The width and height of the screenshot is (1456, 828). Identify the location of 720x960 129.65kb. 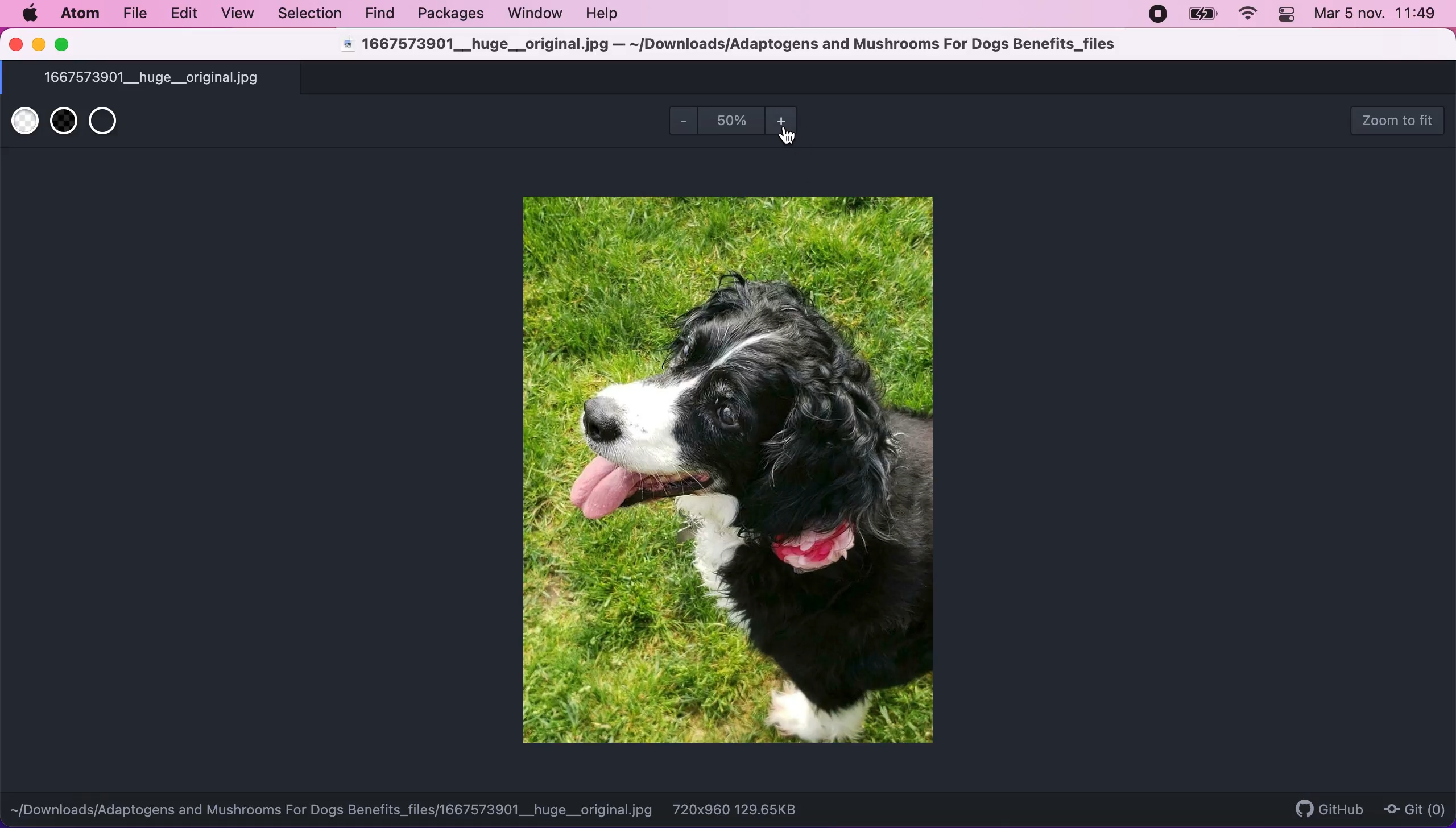
(748, 809).